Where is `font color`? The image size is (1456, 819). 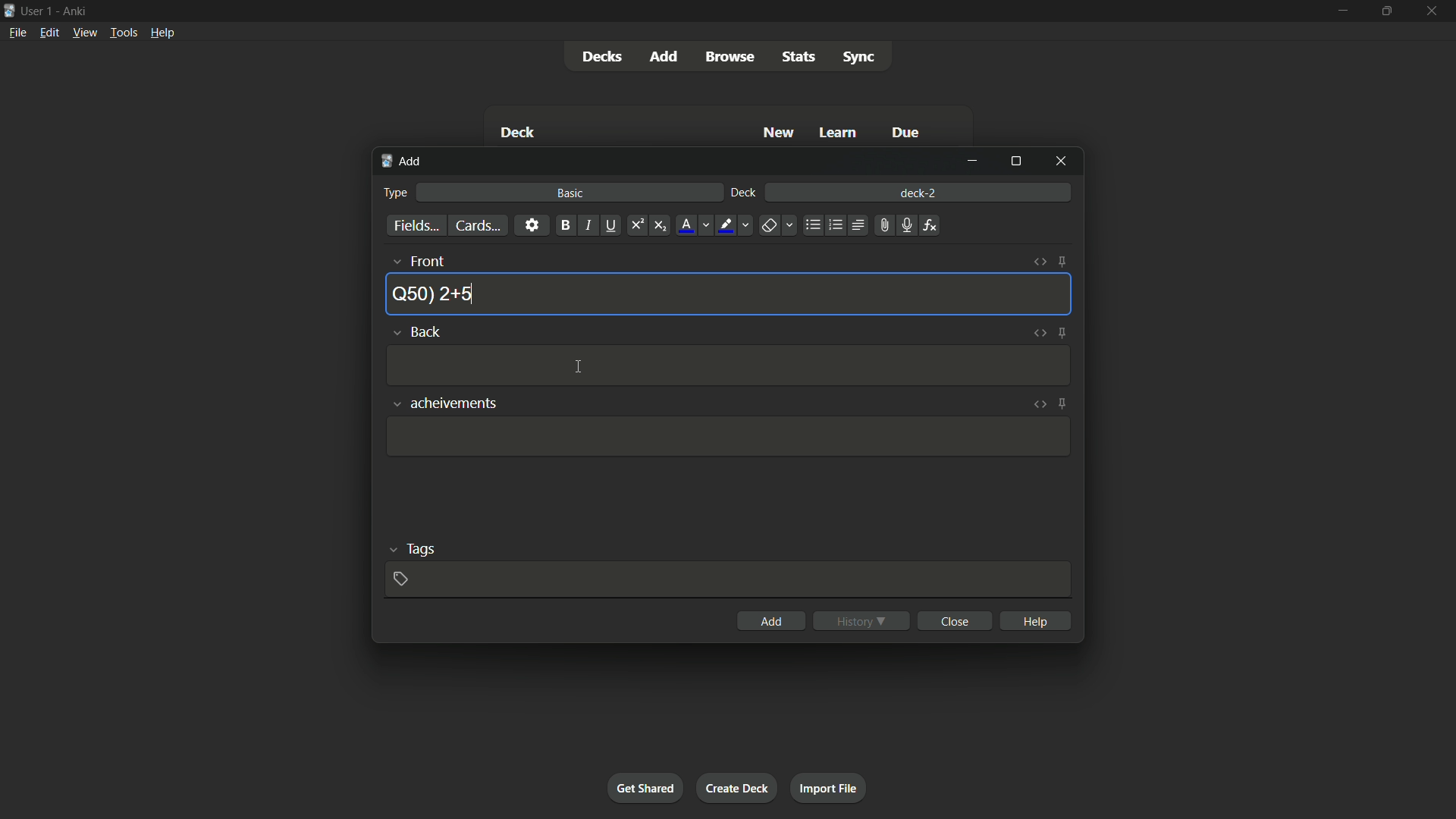
font color is located at coordinates (695, 225).